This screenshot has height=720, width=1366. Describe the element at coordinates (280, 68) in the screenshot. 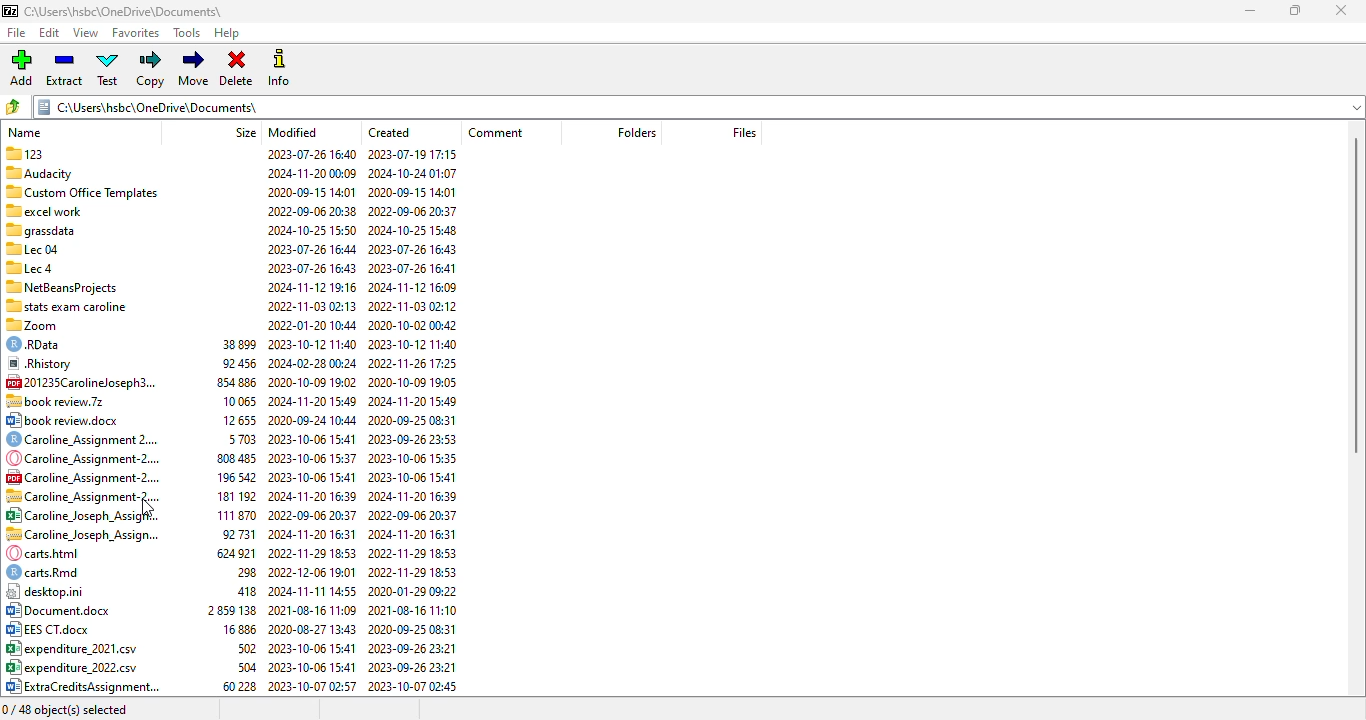

I see `info` at that location.